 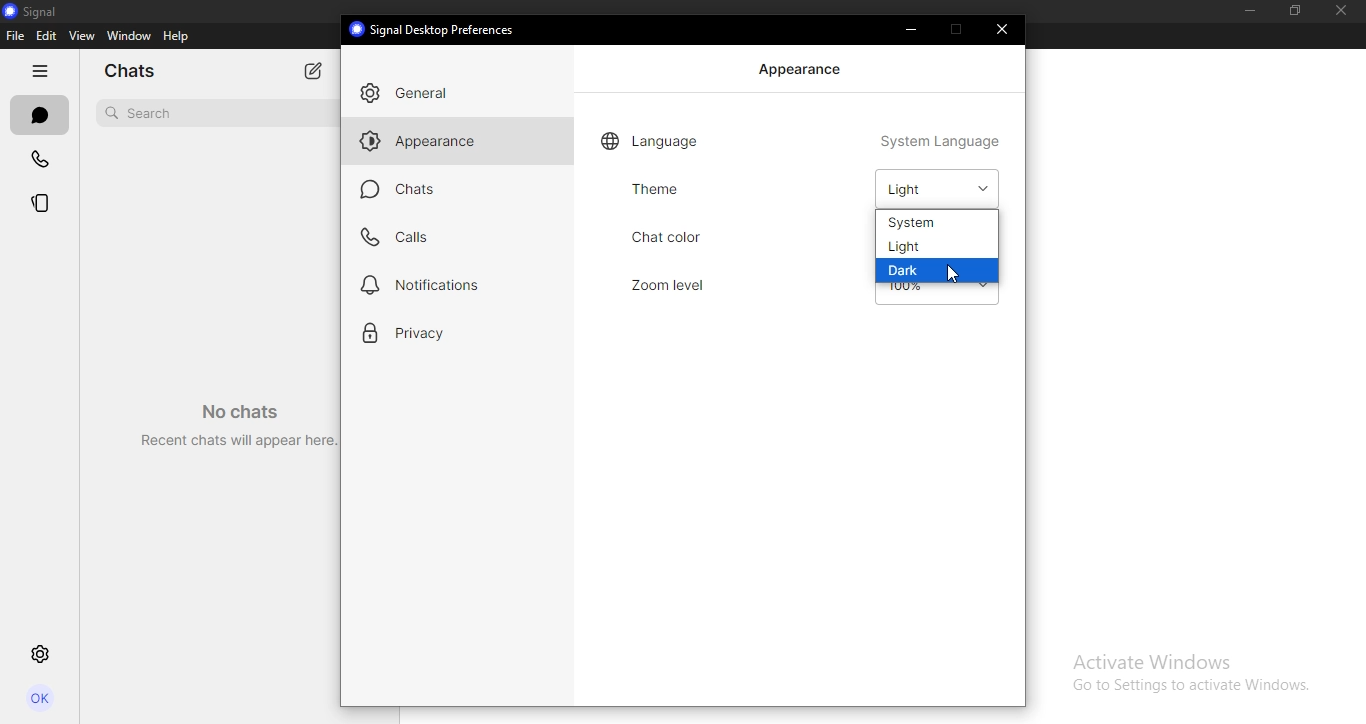 What do you see at coordinates (931, 188) in the screenshot?
I see `light` at bounding box center [931, 188].